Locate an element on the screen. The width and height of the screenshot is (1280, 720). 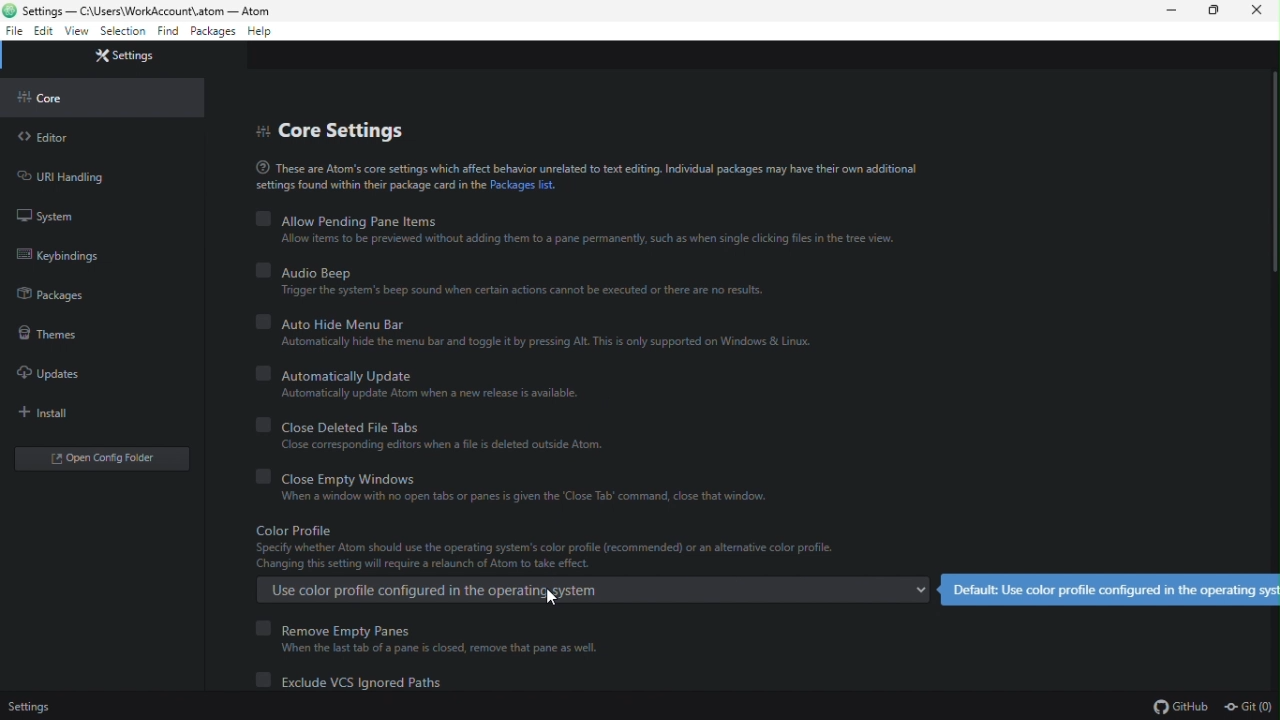
settings is located at coordinates (131, 58).